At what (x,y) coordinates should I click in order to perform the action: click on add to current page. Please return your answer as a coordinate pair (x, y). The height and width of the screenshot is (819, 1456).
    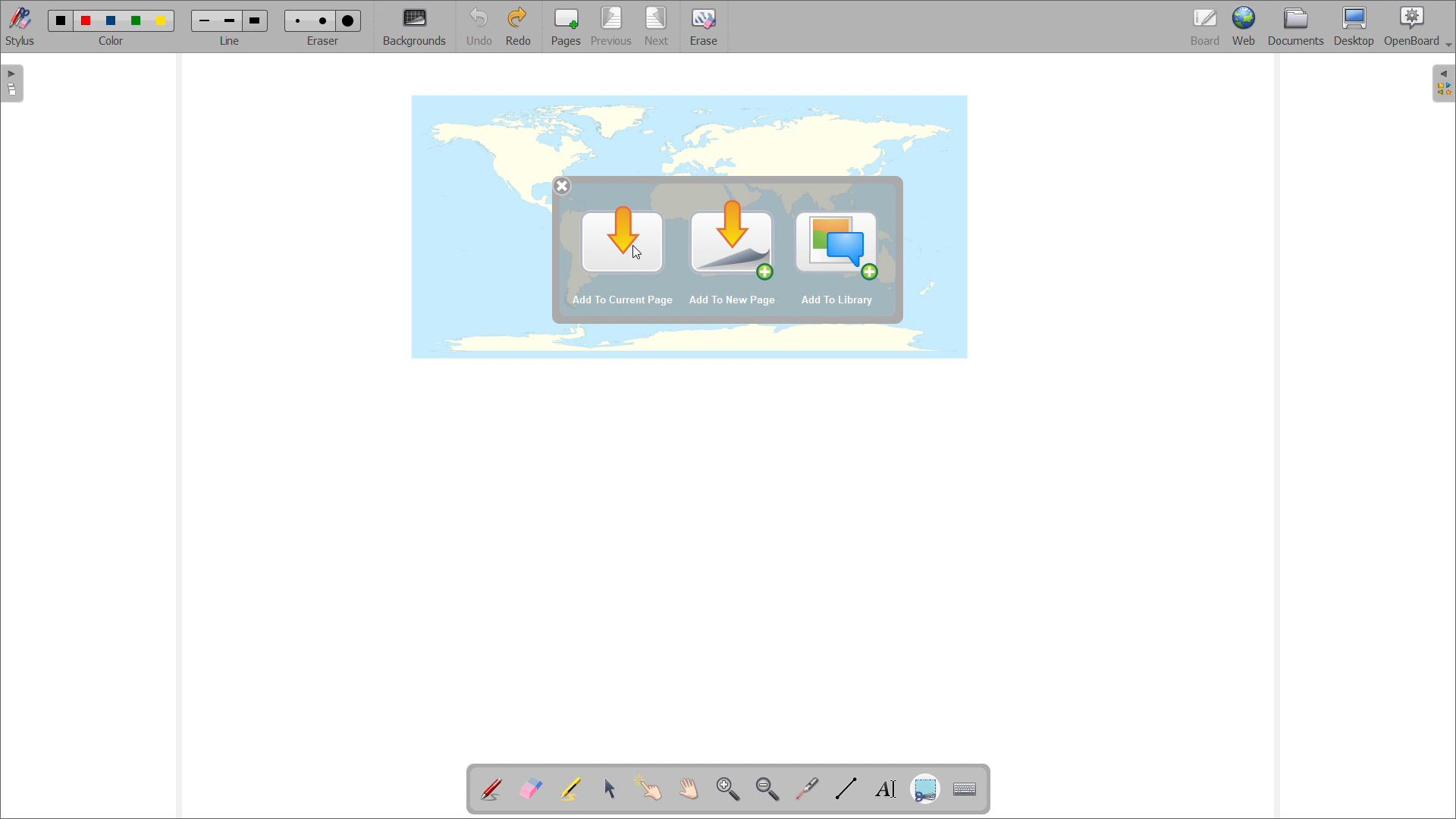
    Looking at the image, I should click on (621, 301).